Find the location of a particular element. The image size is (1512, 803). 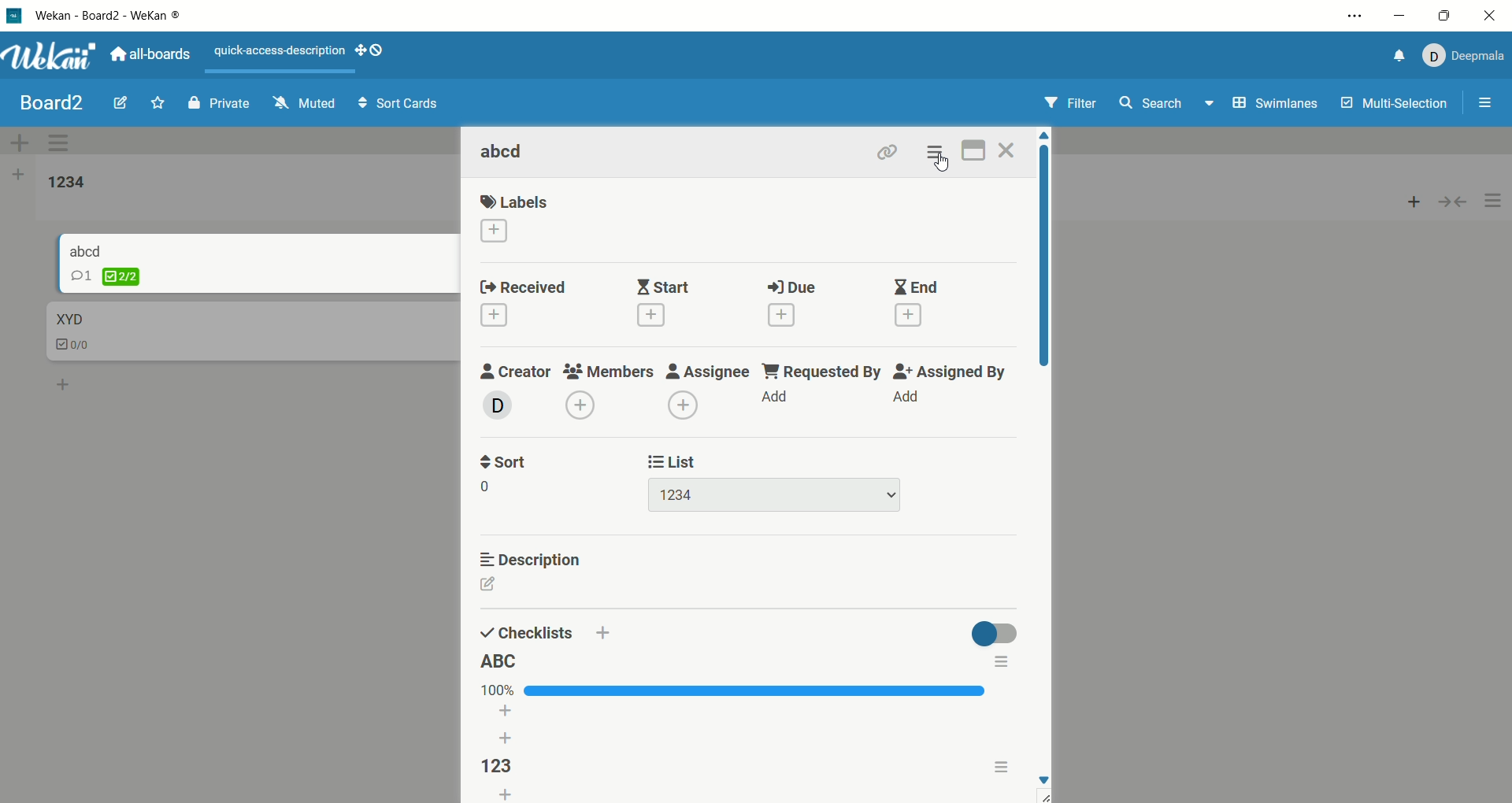

due is located at coordinates (791, 305).